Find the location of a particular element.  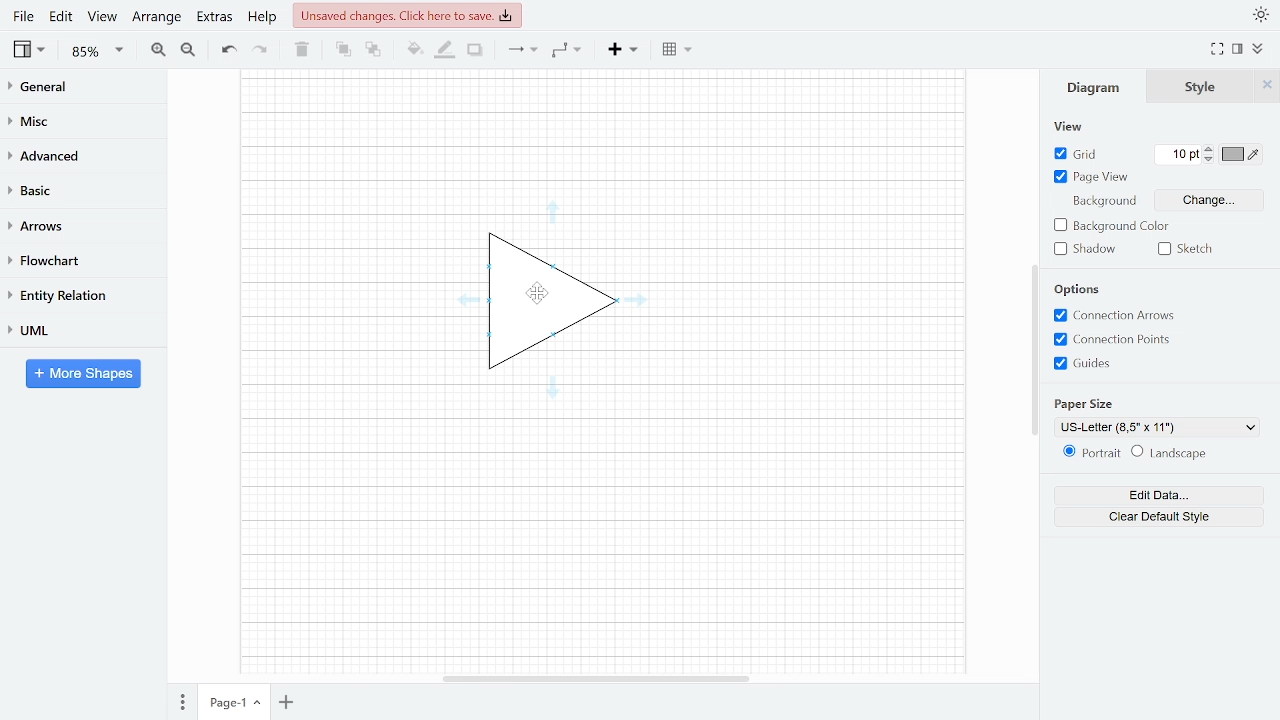

current grid pt is located at coordinates (1180, 155).